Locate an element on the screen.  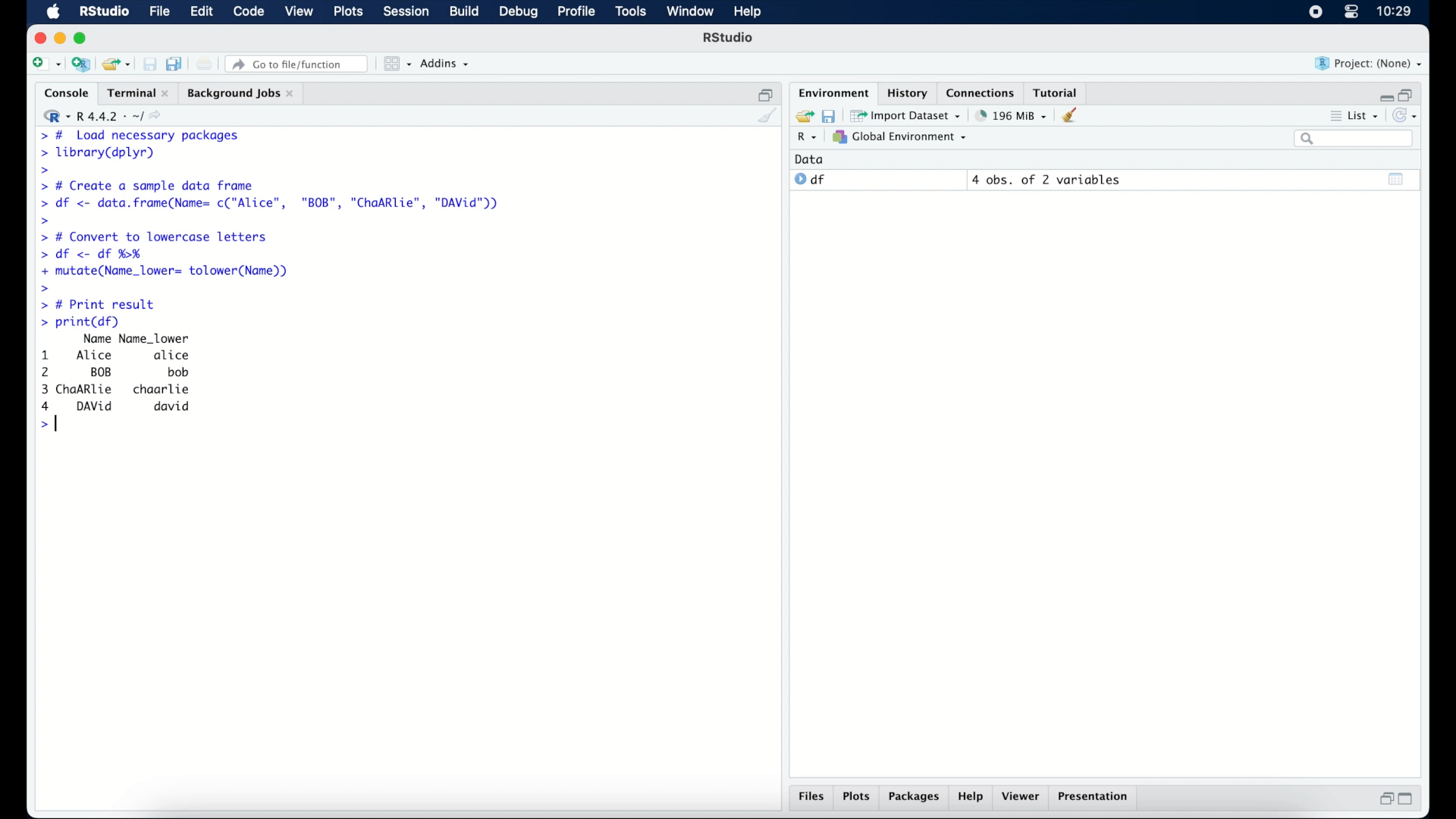
> print(df)| is located at coordinates (85, 322).